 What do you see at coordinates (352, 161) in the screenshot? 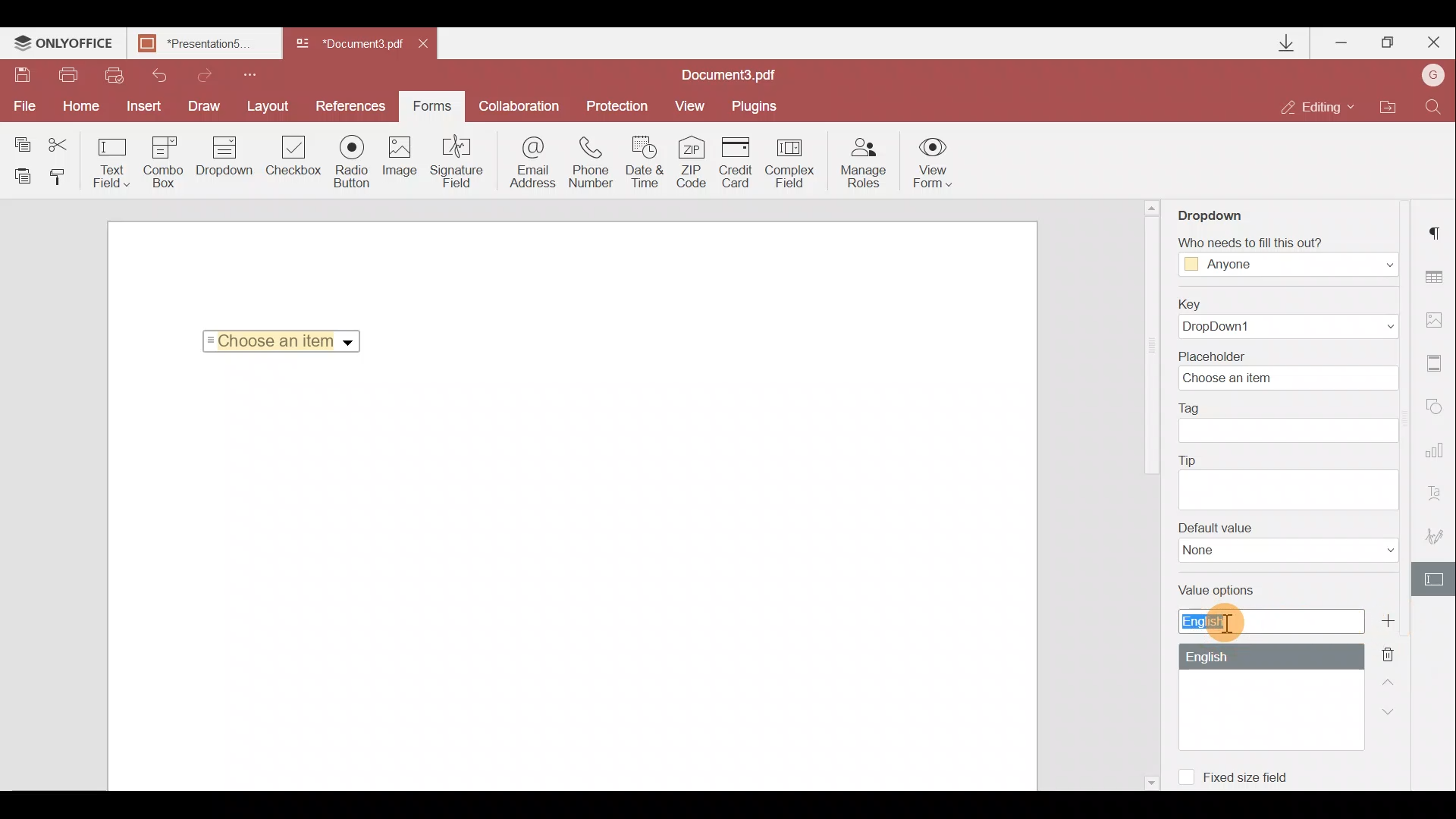
I see `Radio button` at bounding box center [352, 161].